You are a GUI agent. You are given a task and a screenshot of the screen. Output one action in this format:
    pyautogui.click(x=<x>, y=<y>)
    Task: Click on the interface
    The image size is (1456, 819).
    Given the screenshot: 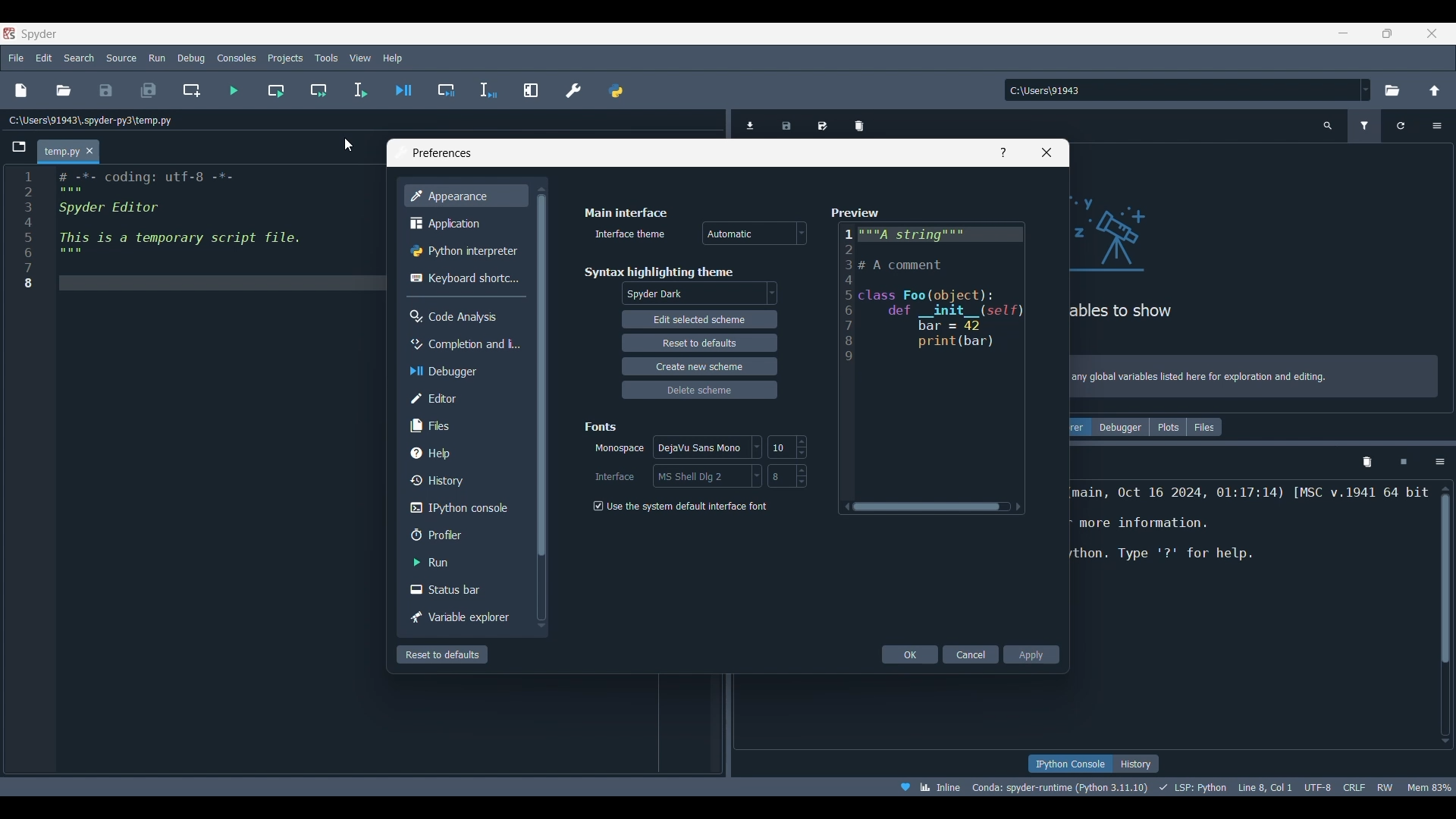 What is the action you would take?
    pyautogui.click(x=612, y=475)
    